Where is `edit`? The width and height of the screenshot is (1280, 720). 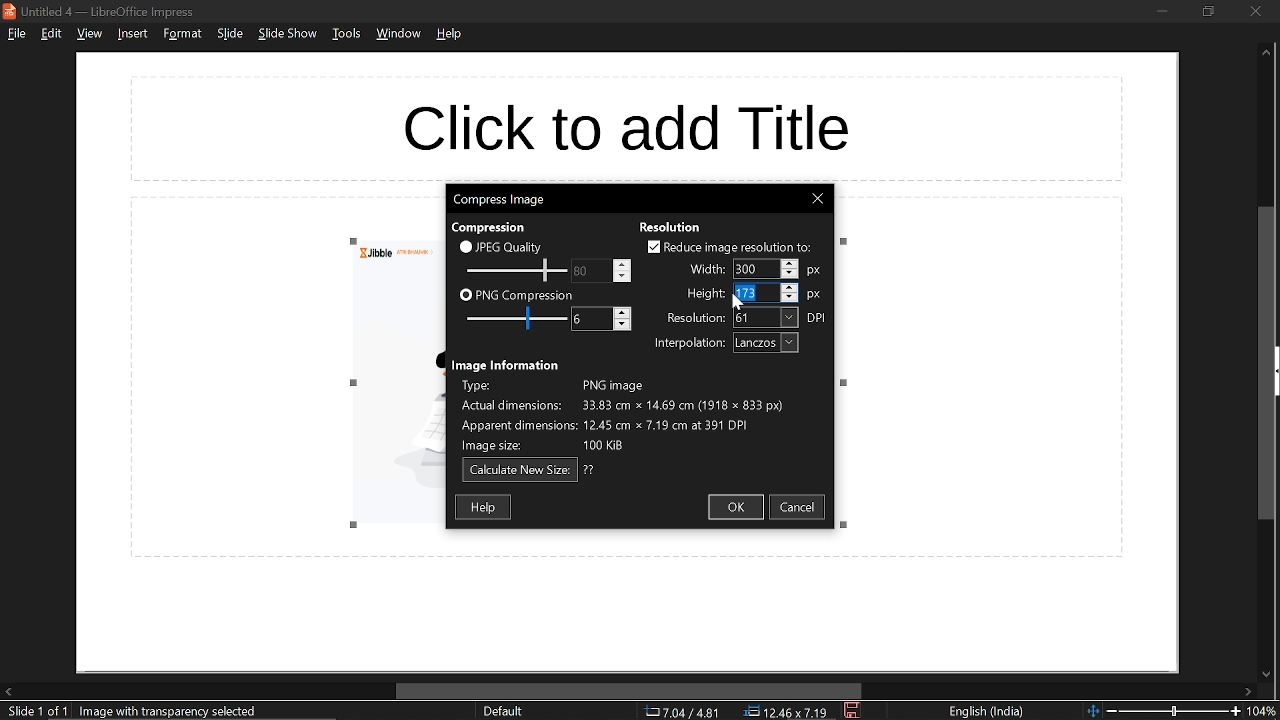 edit is located at coordinates (50, 34).